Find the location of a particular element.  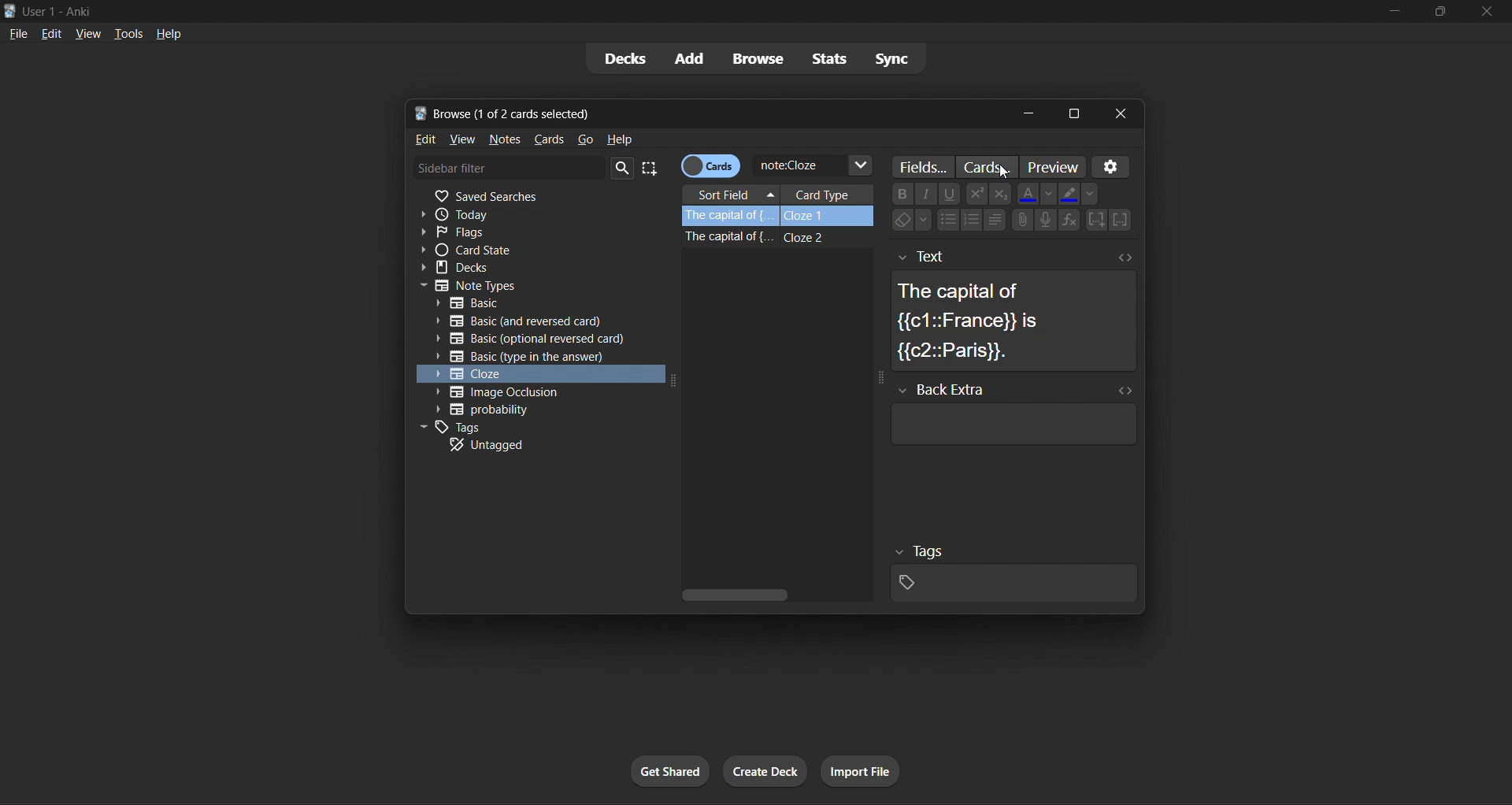

minimize is located at coordinates (1027, 113).